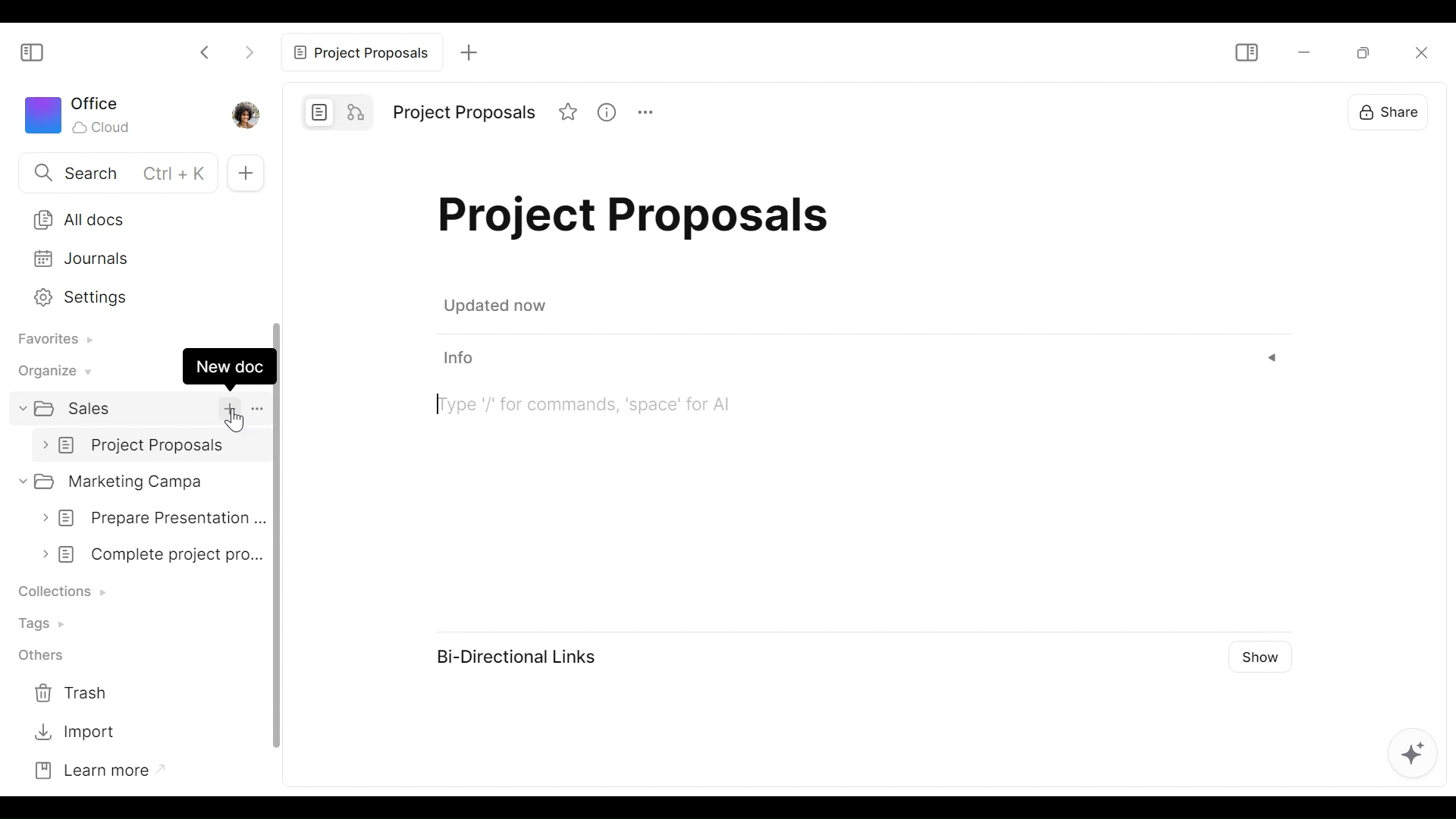 The width and height of the screenshot is (1456, 819). Describe the element at coordinates (79, 733) in the screenshot. I see `Import` at that location.